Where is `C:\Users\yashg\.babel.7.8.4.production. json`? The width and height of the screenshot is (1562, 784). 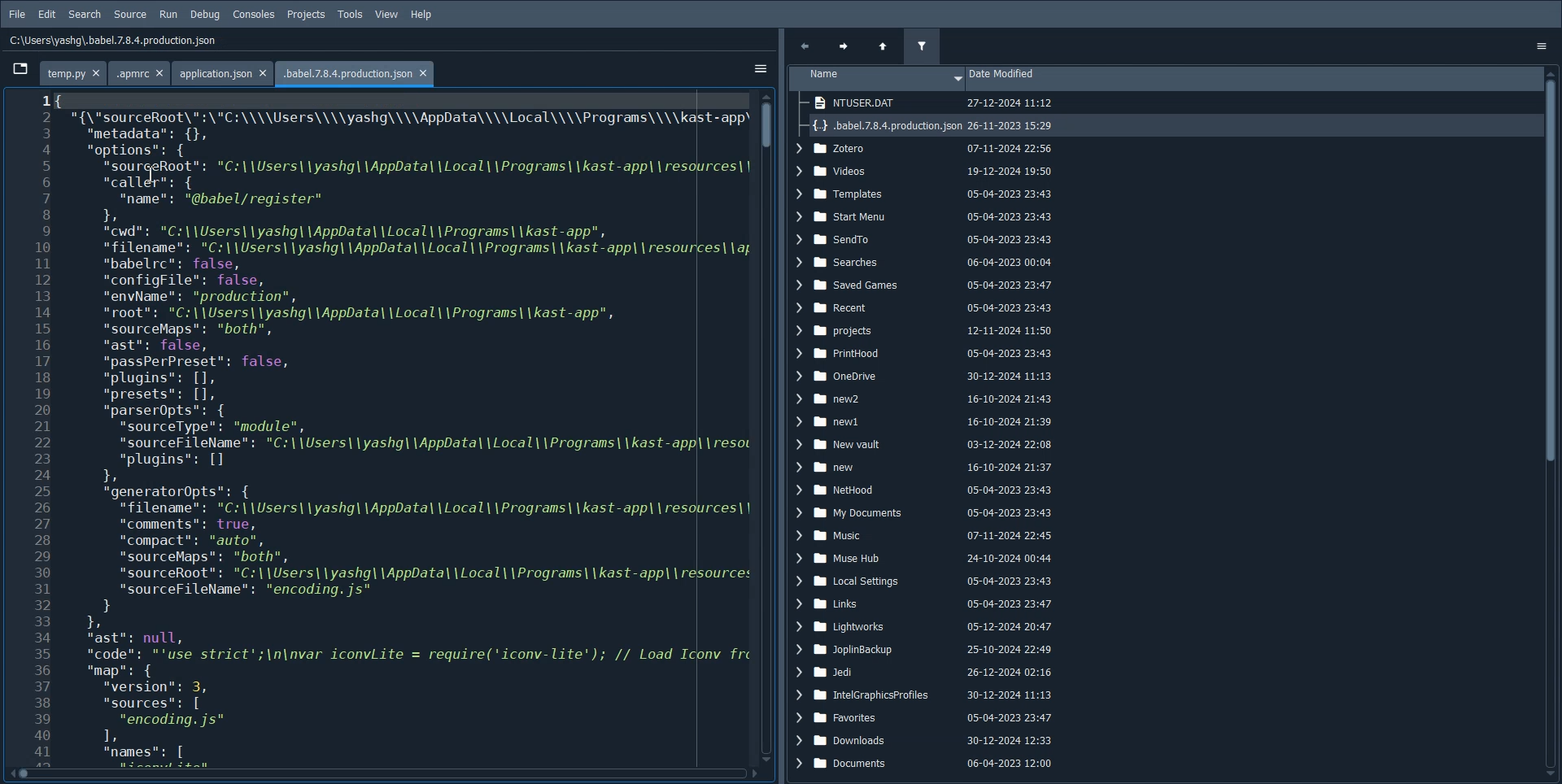
C:\Users\yashg\.babel.7.8.4.production. json is located at coordinates (111, 41).